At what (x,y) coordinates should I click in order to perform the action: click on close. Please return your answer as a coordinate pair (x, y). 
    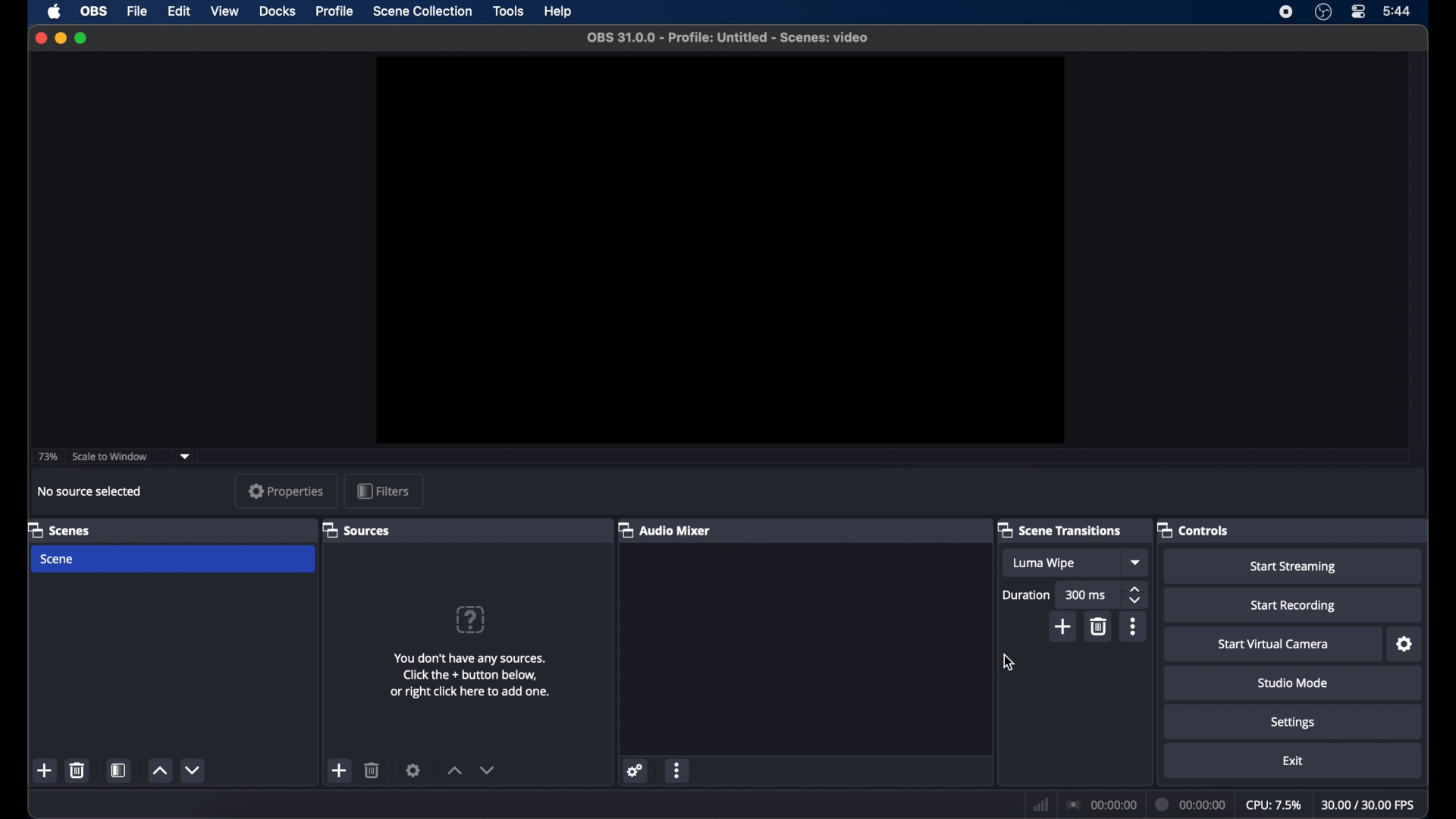
    Looking at the image, I should click on (40, 37).